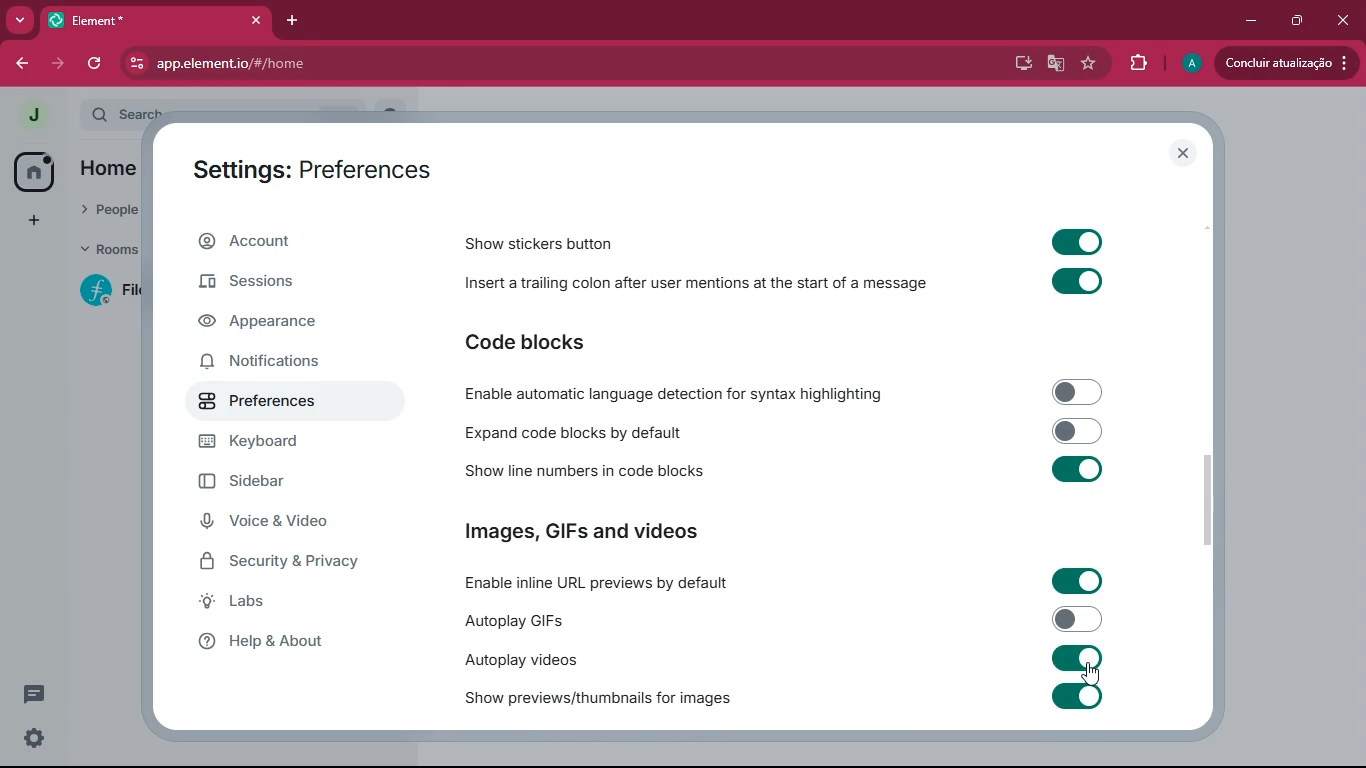  I want to click on keyboard, so click(289, 443).